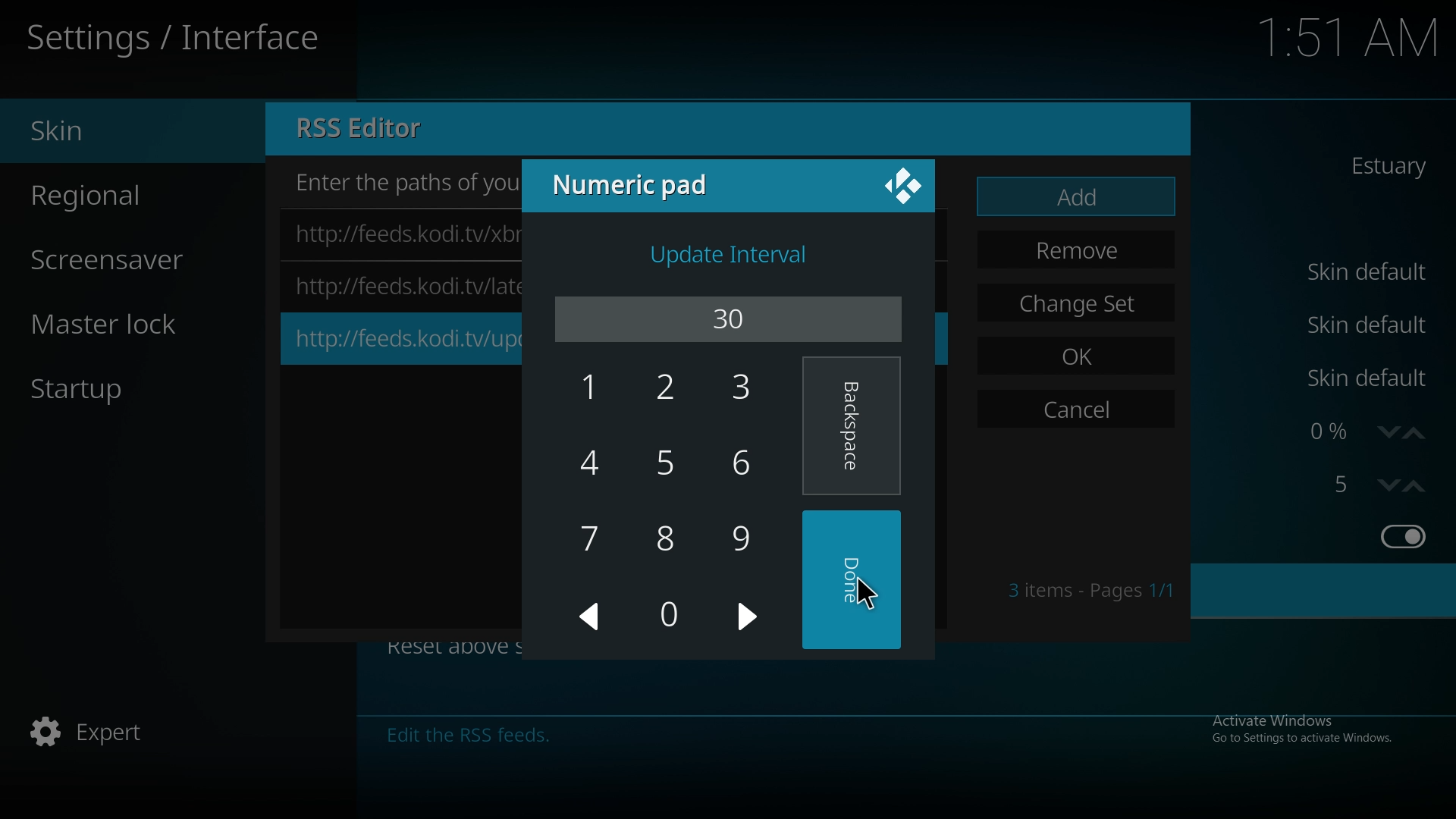 Image resolution: width=1456 pixels, height=819 pixels. Describe the element at coordinates (115, 193) in the screenshot. I see `regional` at that location.